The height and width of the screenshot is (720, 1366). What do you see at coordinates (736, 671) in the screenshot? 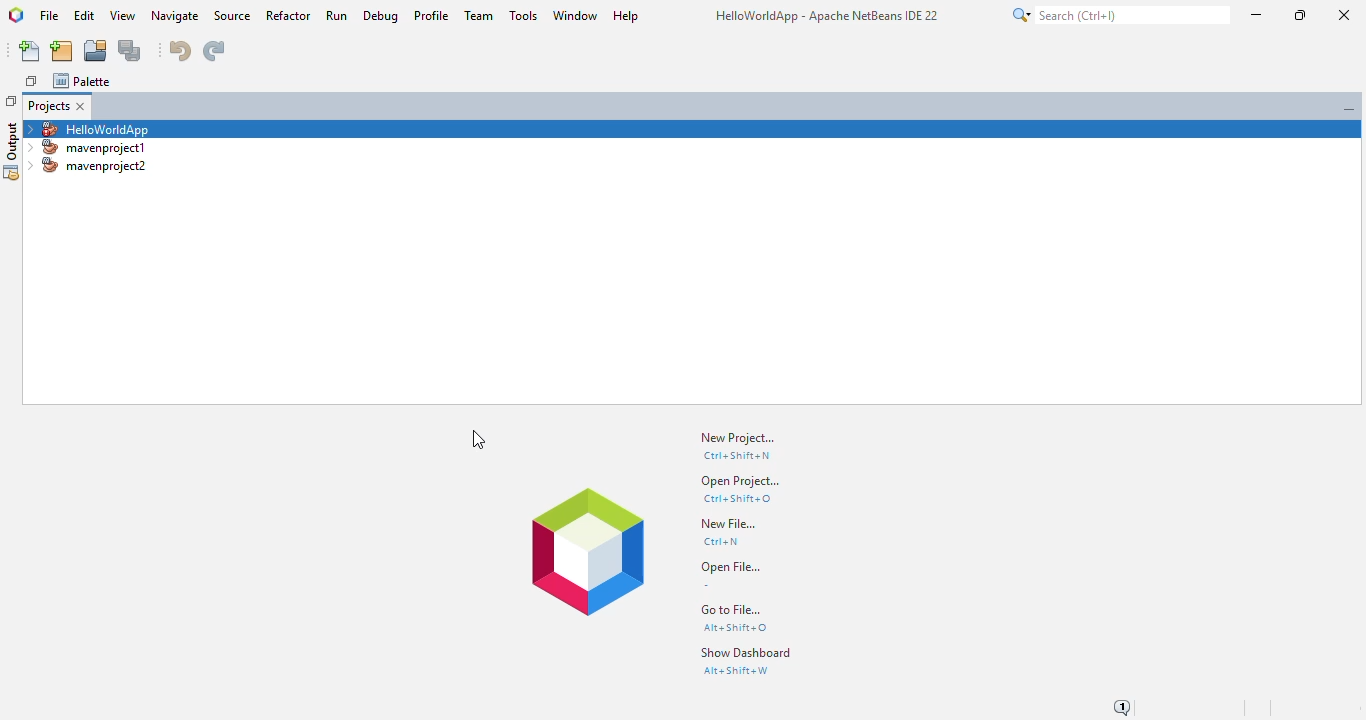
I see `shortcut for show dashboard` at bounding box center [736, 671].